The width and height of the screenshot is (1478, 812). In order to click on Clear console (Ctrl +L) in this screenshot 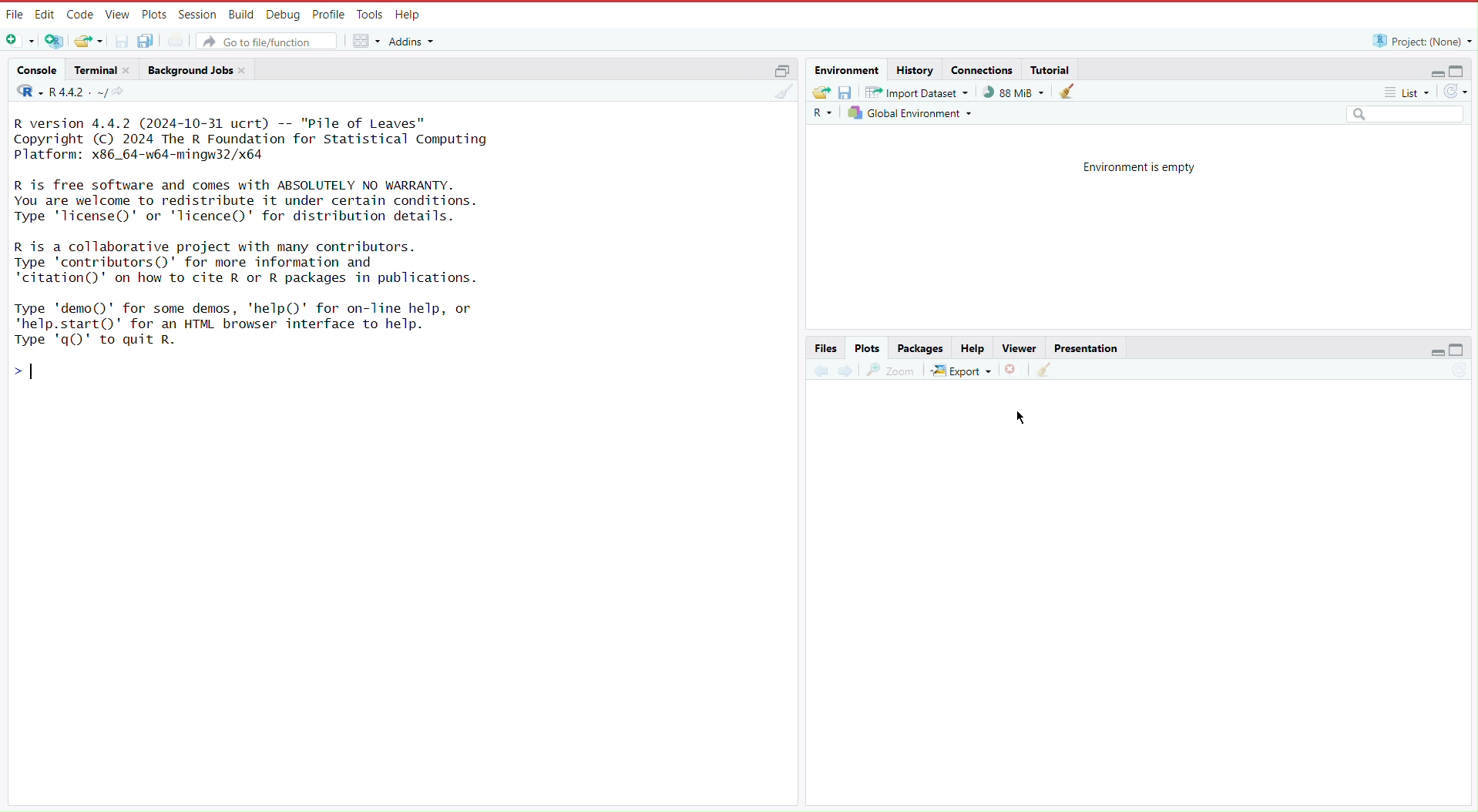, I will do `click(786, 97)`.